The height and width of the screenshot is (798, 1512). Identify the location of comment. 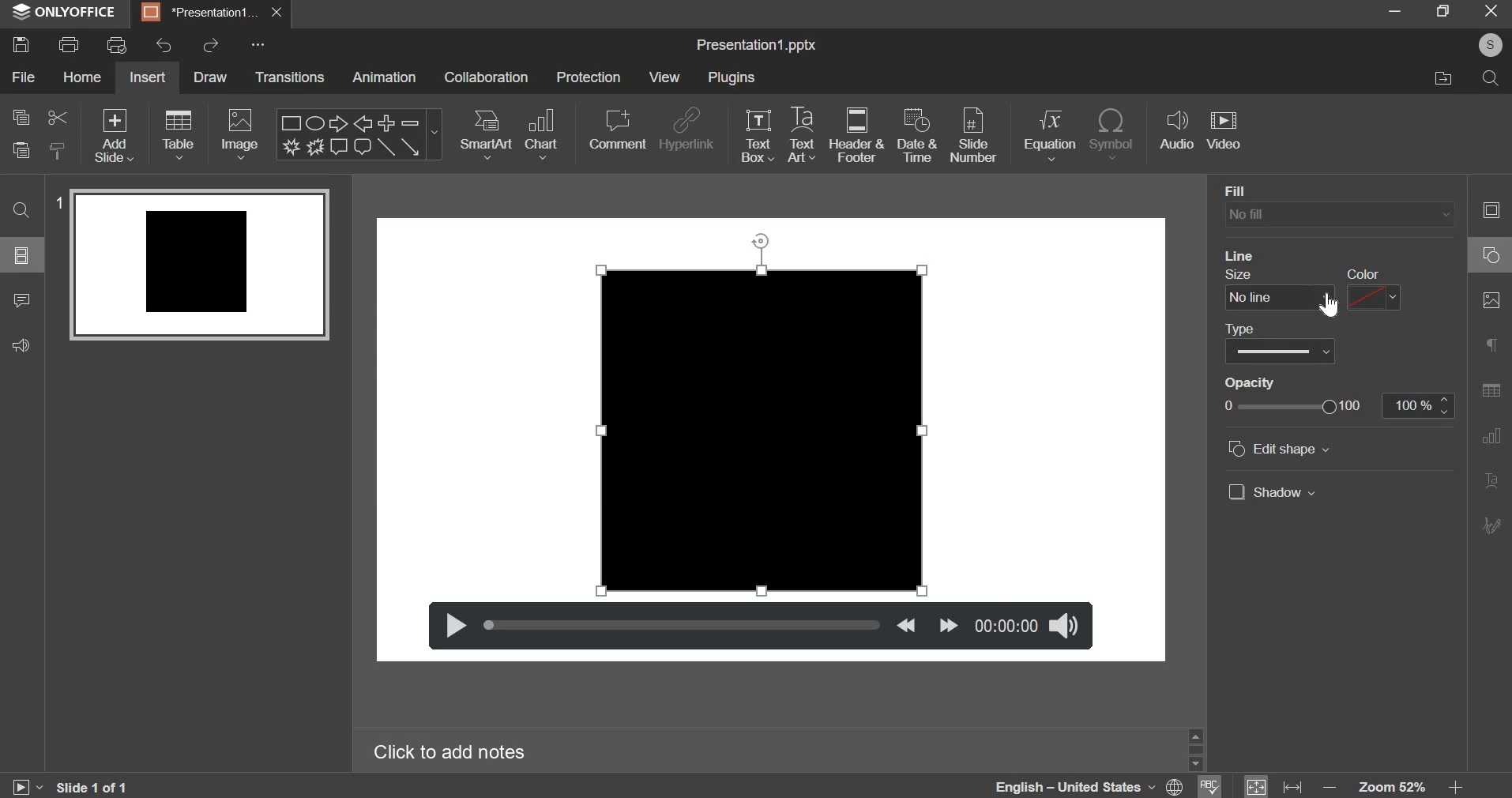
(617, 130).